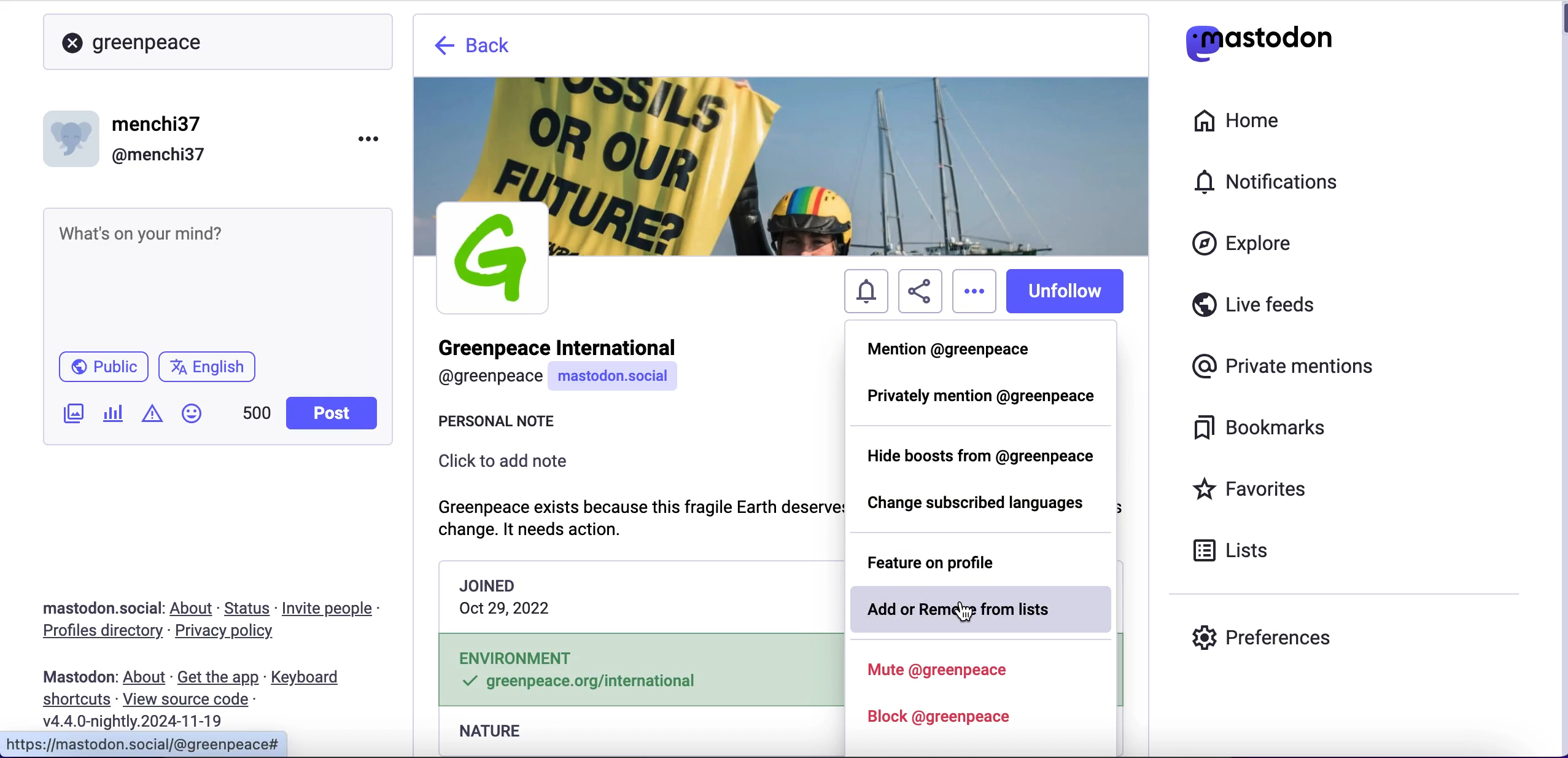 This screenshot has width=1568, height=758. I want to click on personal note, so click(521, 424).